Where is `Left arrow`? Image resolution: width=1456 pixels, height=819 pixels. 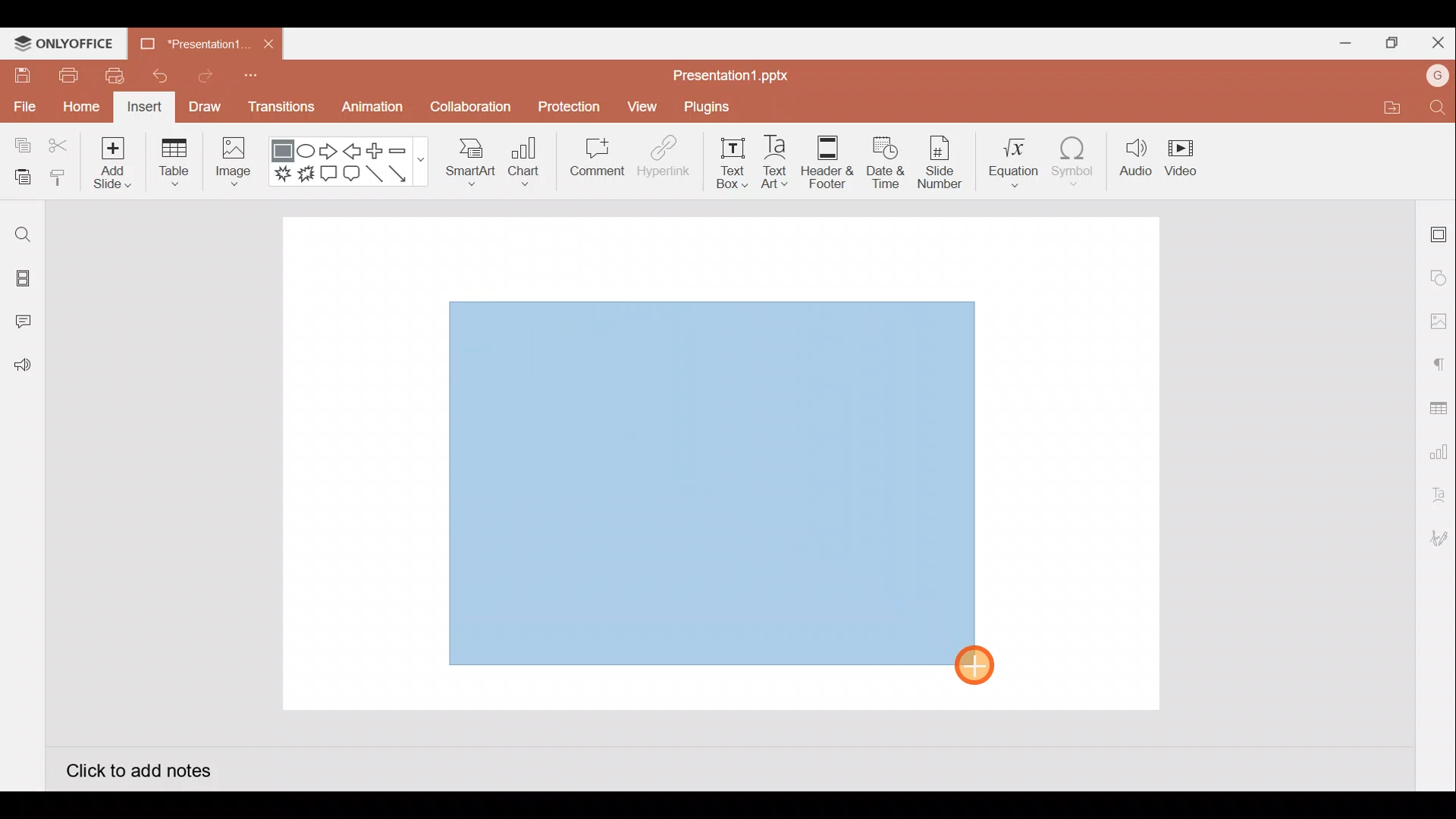 Left arrow is located at coordinates (353, 151).